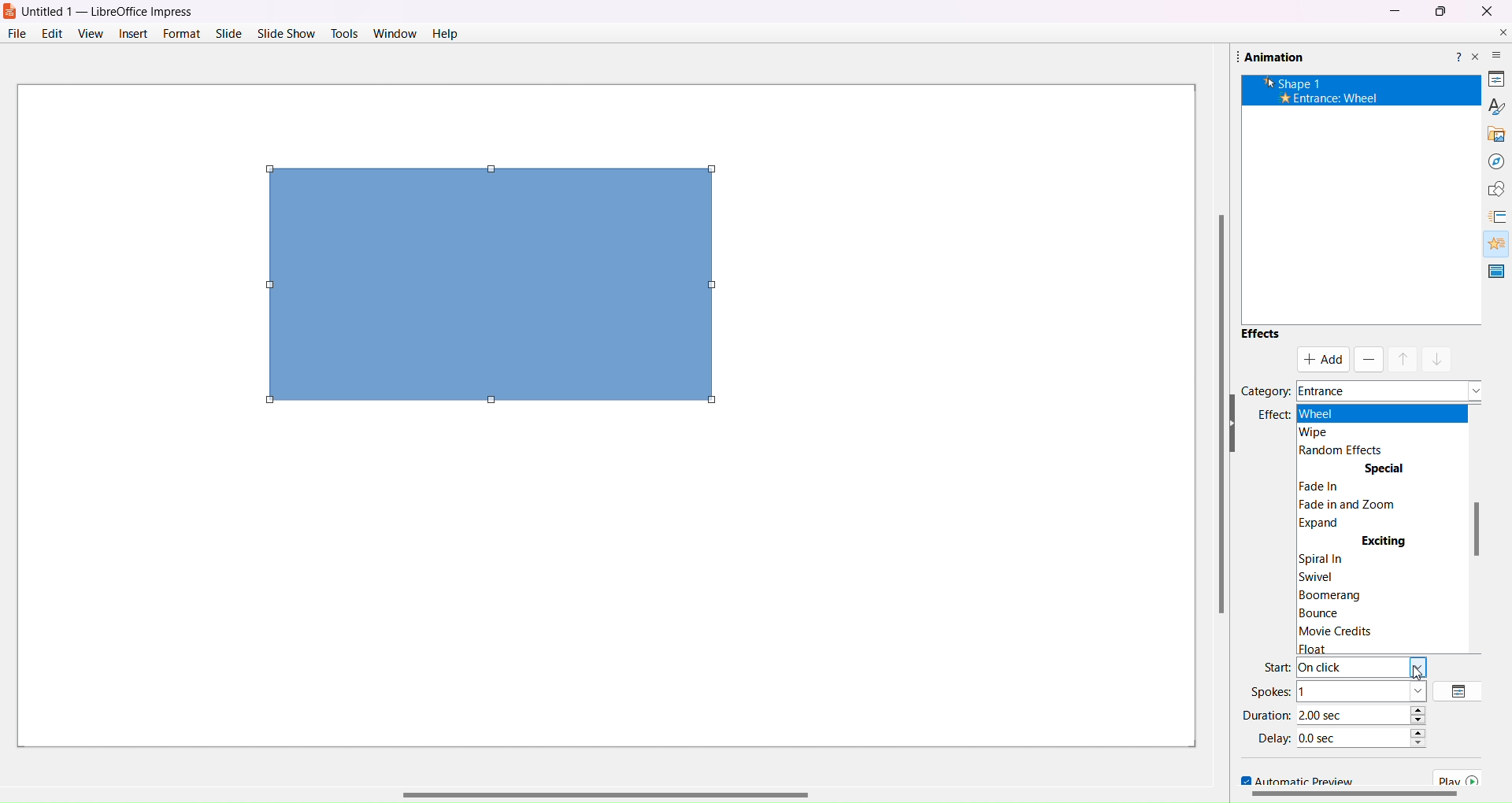  What do you see at coordinates (1291, 780) in the screenshot?
I see `Automatic Preview` at bounding box center [1291, 780].